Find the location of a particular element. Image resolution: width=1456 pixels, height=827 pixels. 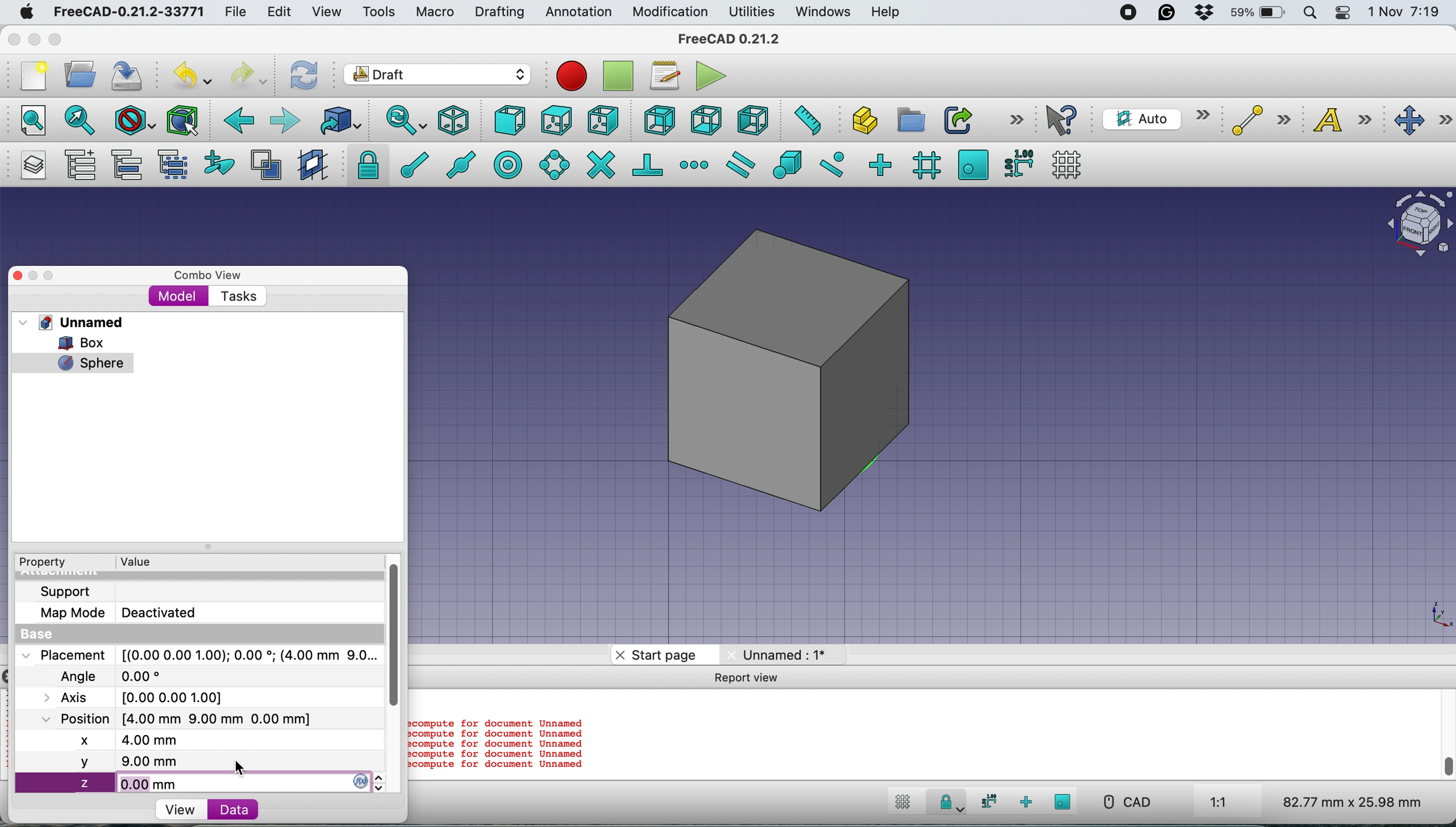

refresh is located at coordinates (302, 74).